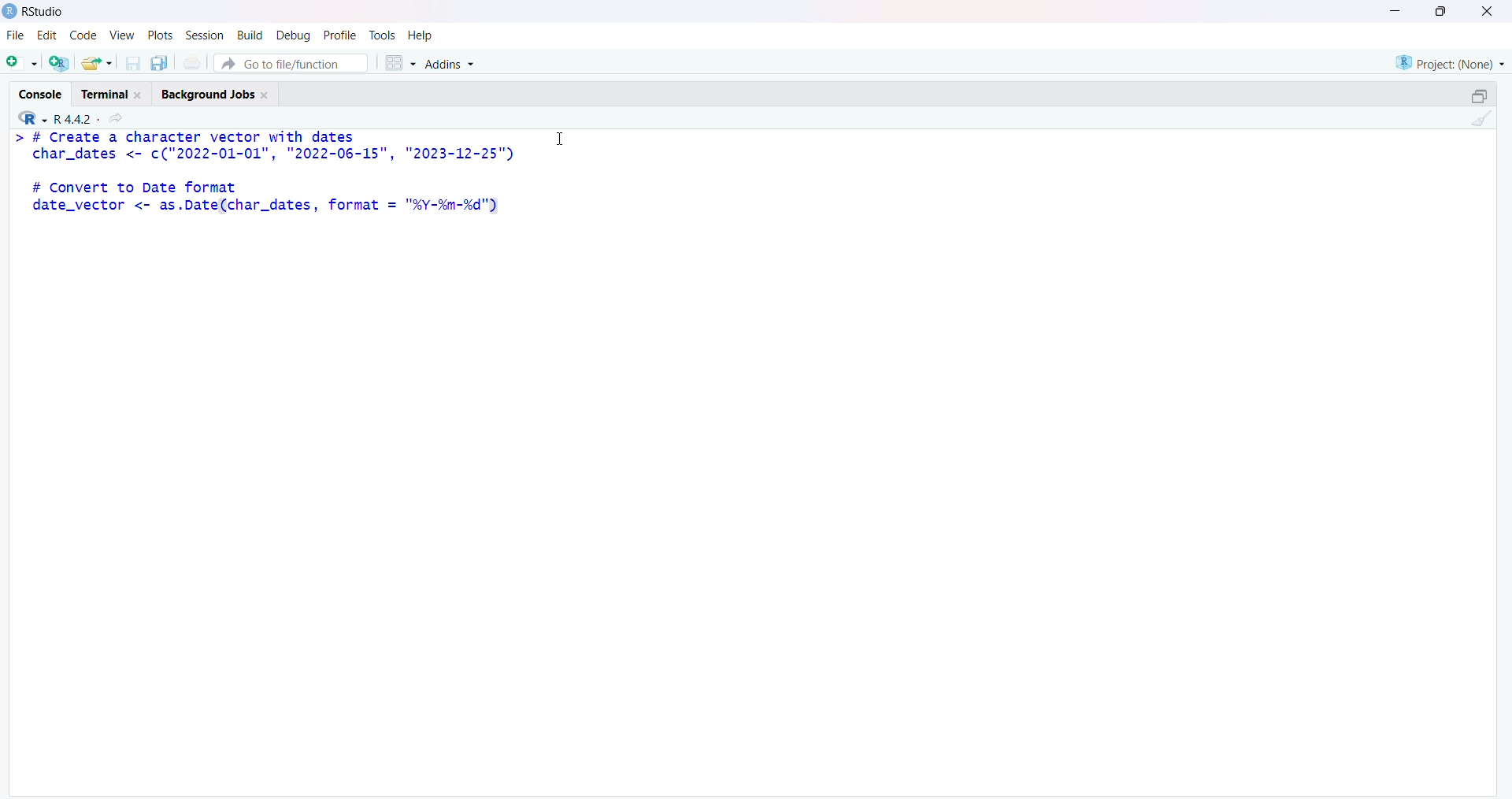 The width and height of the screenshot is (1512, 799). What do you see at coordinates (1479, 95) in the screenshot?
I see `Maximize/Restore` at bounding box center [1479, 95].